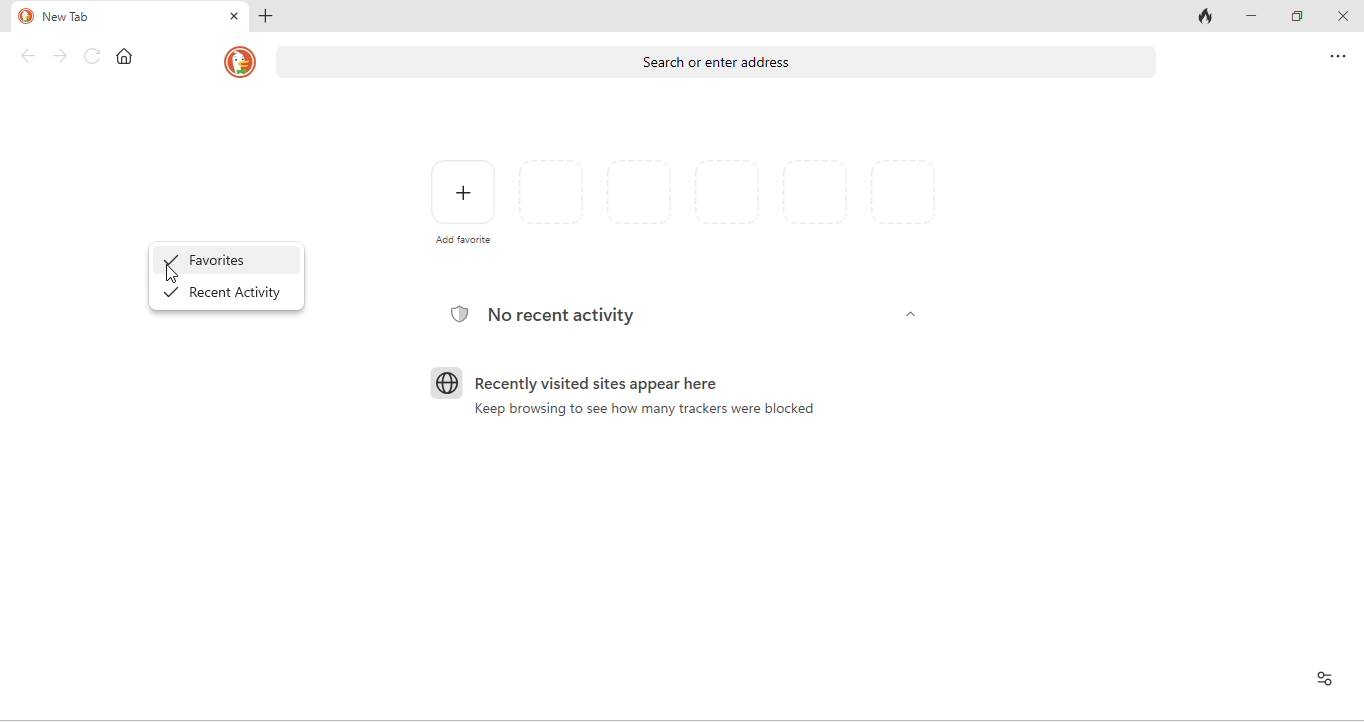 Image resolution: width=1364 pixels, height=722 pixels. What do you see at coordinates (721, 67) in the screenshot?
I see `search or enter address` at bounding box center [721, 67].